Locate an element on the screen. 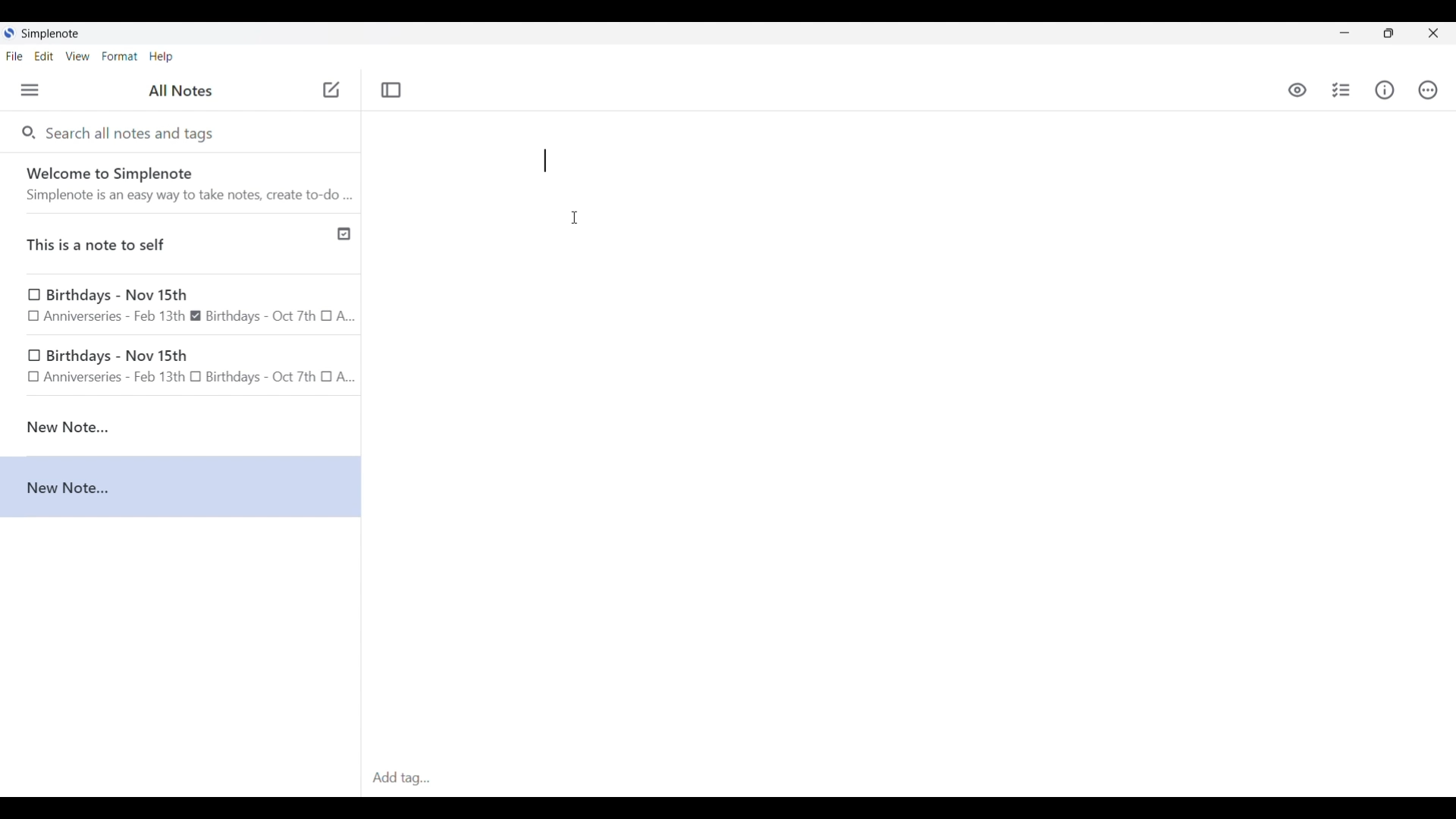 The height and width of the screenshot is (819, 1456). Software welcome note is located at coordinates (184, 183).